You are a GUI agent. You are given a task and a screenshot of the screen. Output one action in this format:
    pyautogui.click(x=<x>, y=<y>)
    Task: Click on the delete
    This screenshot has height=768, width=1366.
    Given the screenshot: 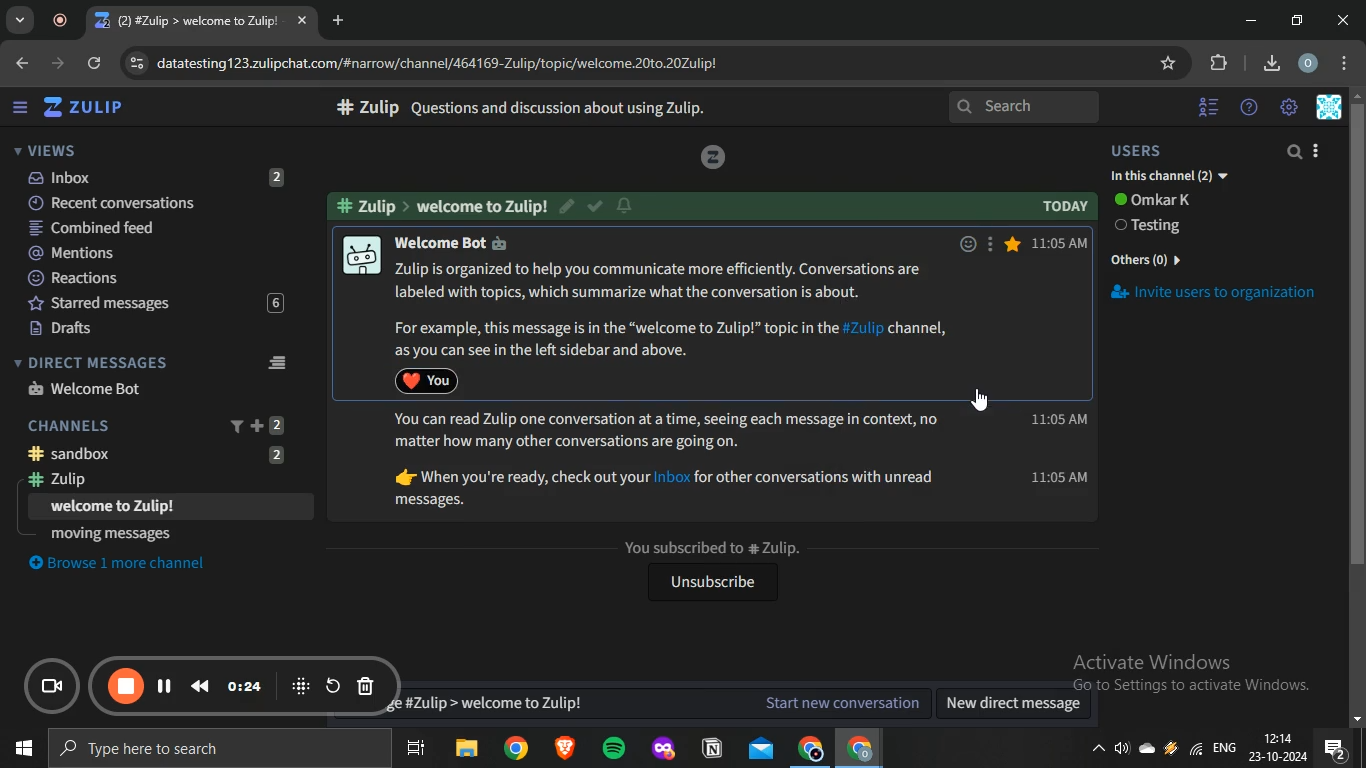 What is the action you would take?
    pyautogui.click(x=366, y=688)
    